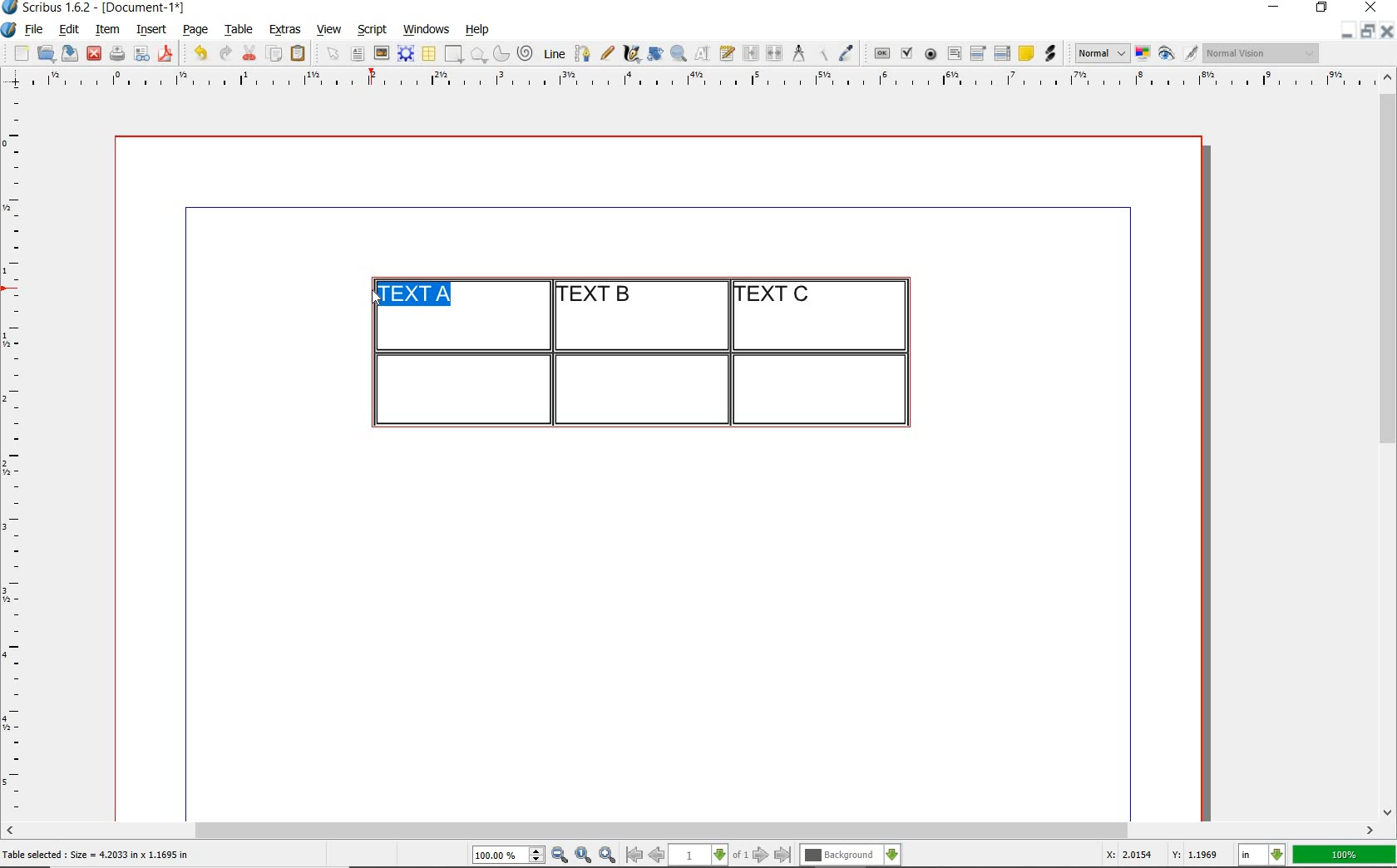 This screenshot has height=868, width=1397. Describe the element at coordinates (607, 53) in the screenshot. I see `freehand line` at that location.